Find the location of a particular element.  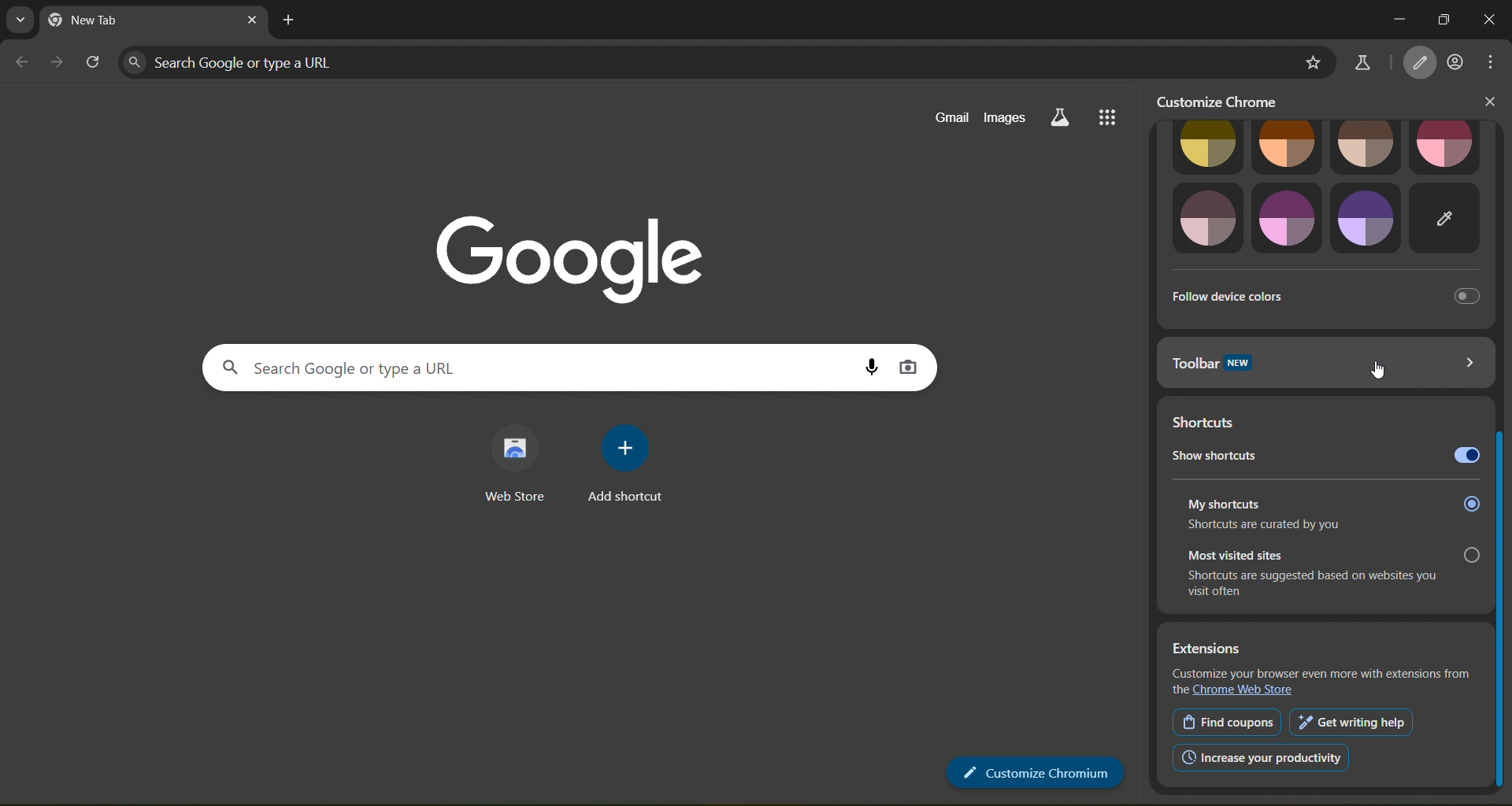

Shortcuts are curated by you is located at coordinates (1291, 527).